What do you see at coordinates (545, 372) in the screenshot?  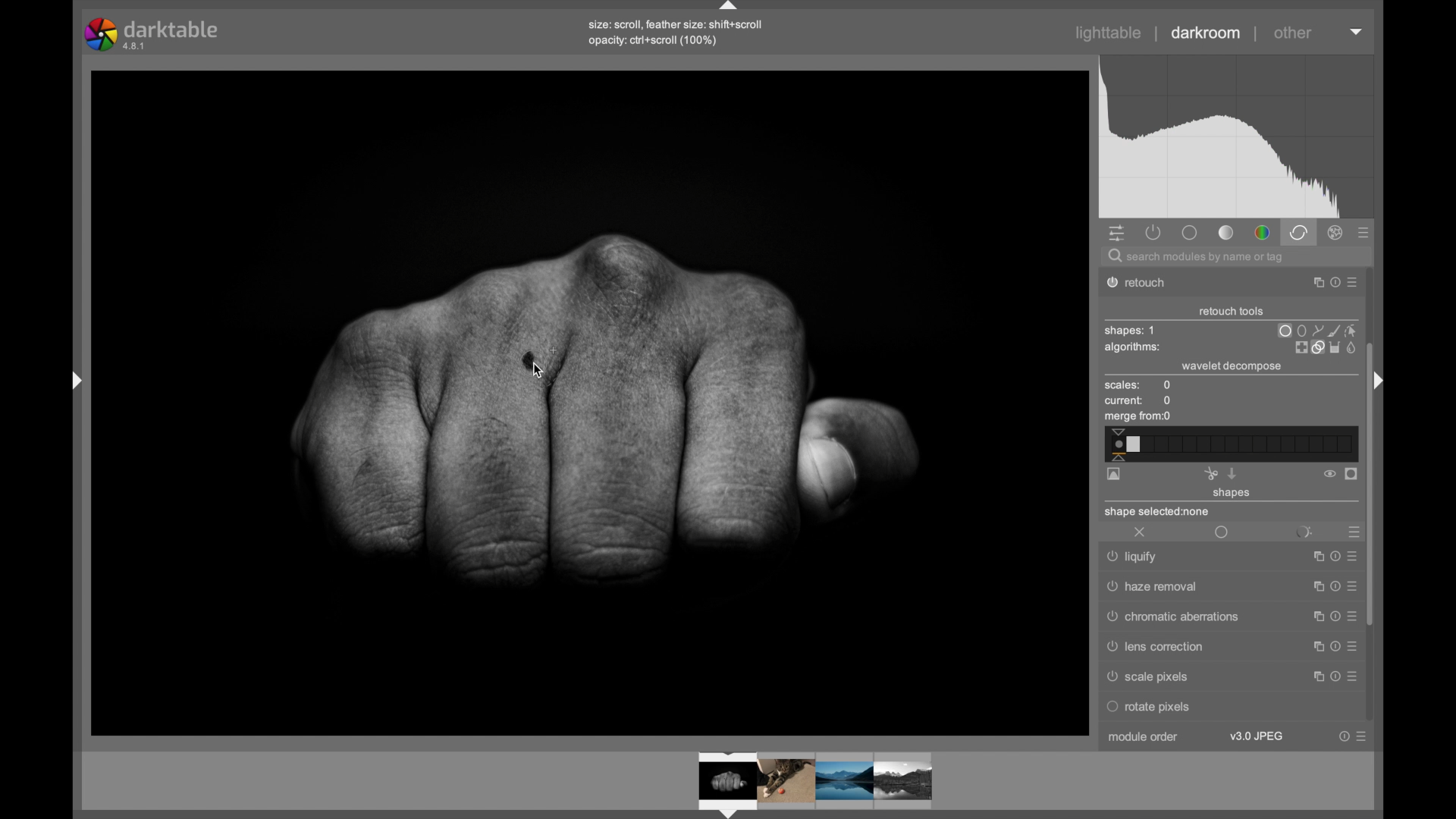 I see `cursor` at bounding box center [545, 372].